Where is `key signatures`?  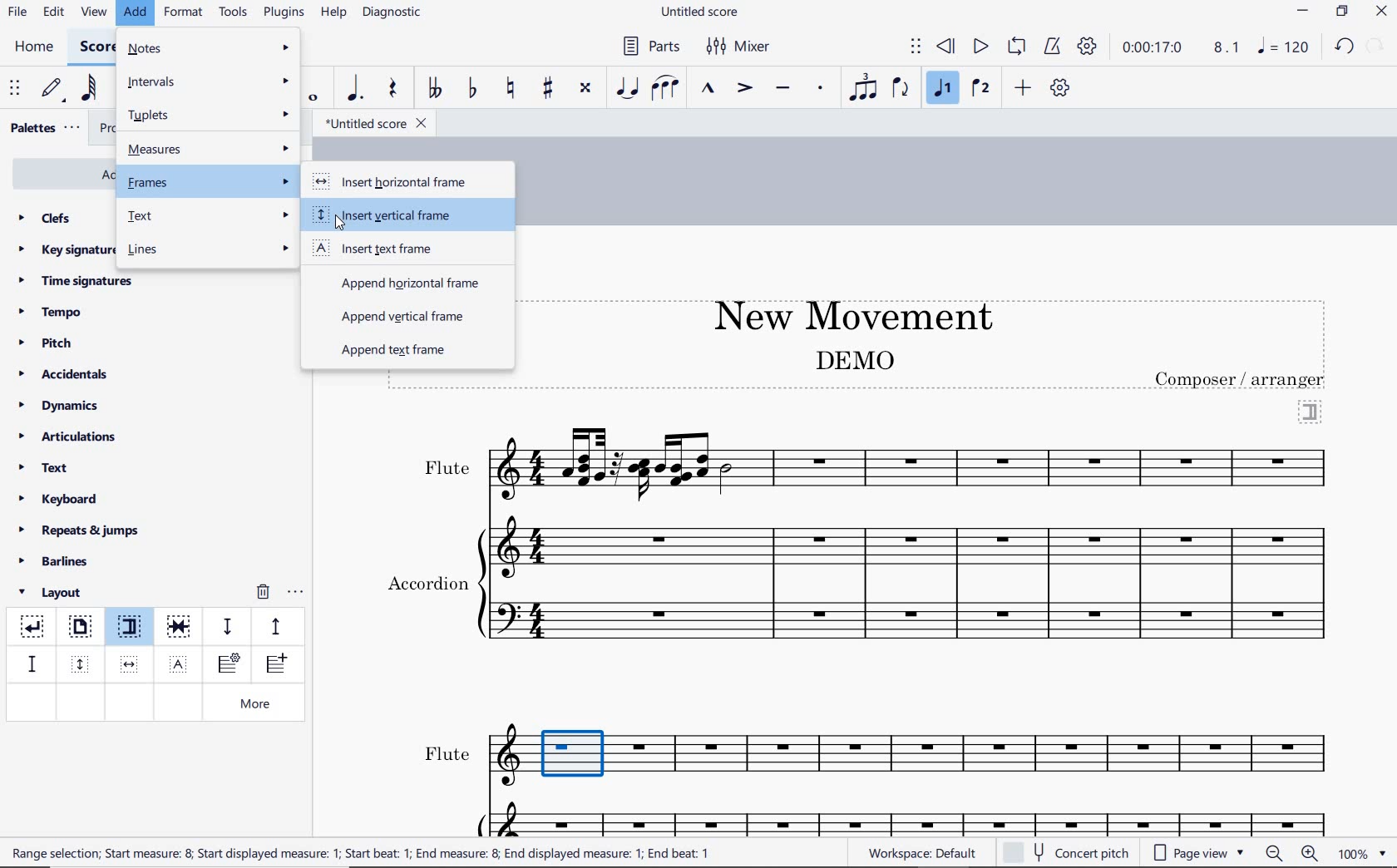 key signatures is located at coordinates (64, 249).